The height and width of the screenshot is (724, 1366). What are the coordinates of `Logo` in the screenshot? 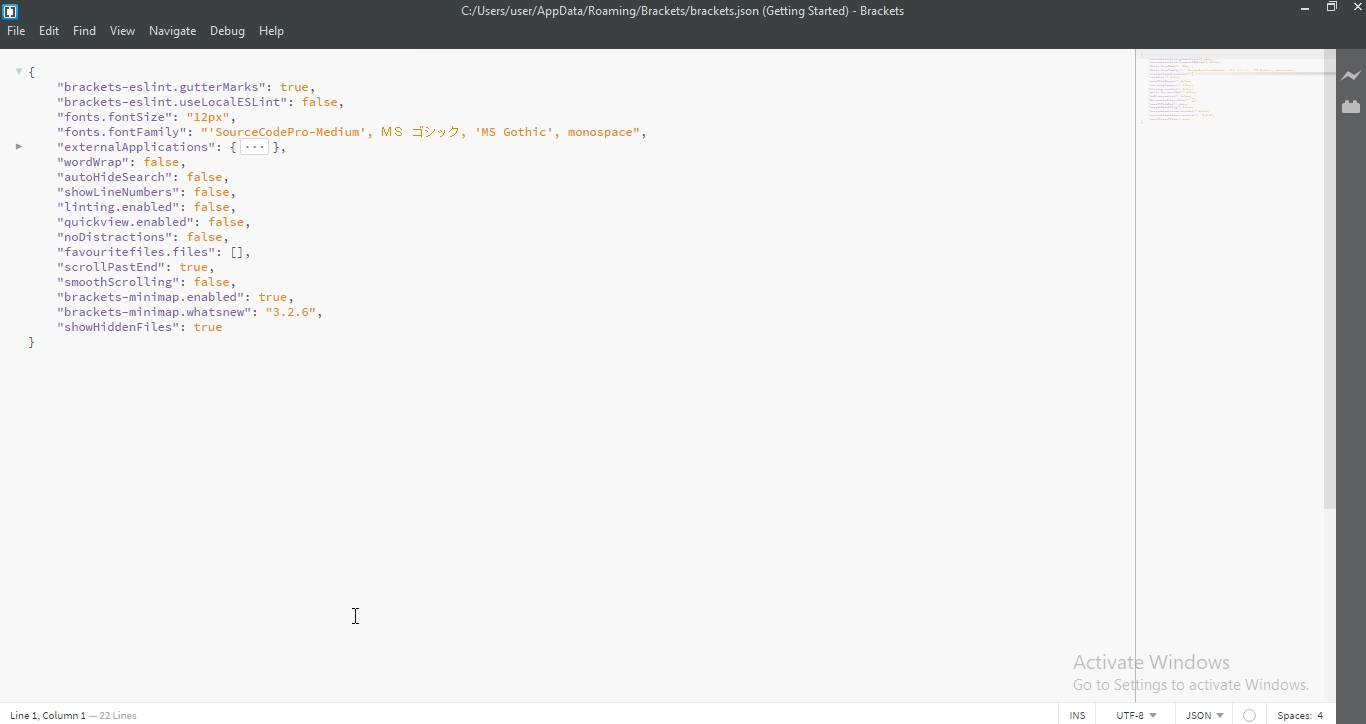 It's located at (11, 11).